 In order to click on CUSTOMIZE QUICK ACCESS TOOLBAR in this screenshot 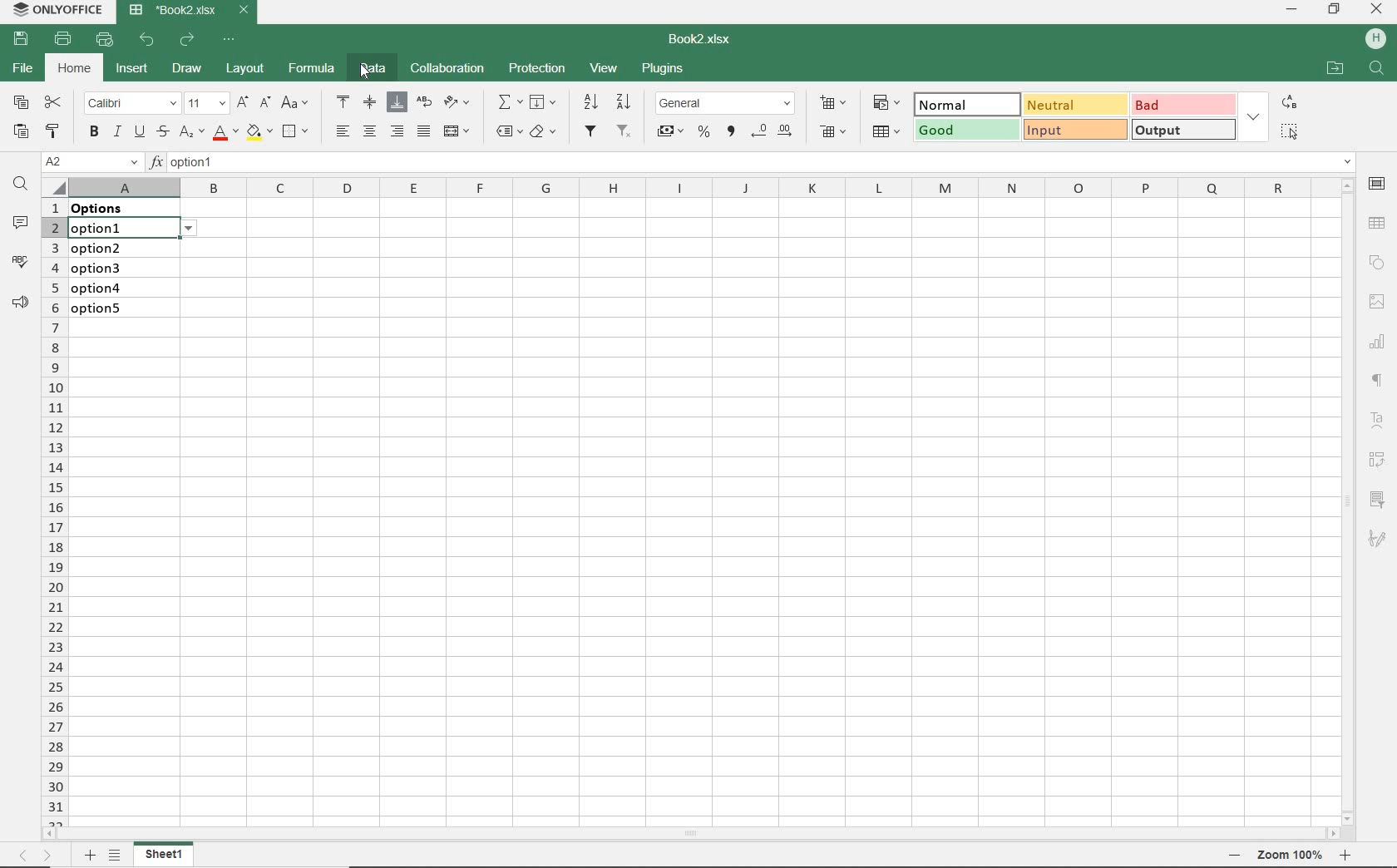, I will do `click(230, 40)`.